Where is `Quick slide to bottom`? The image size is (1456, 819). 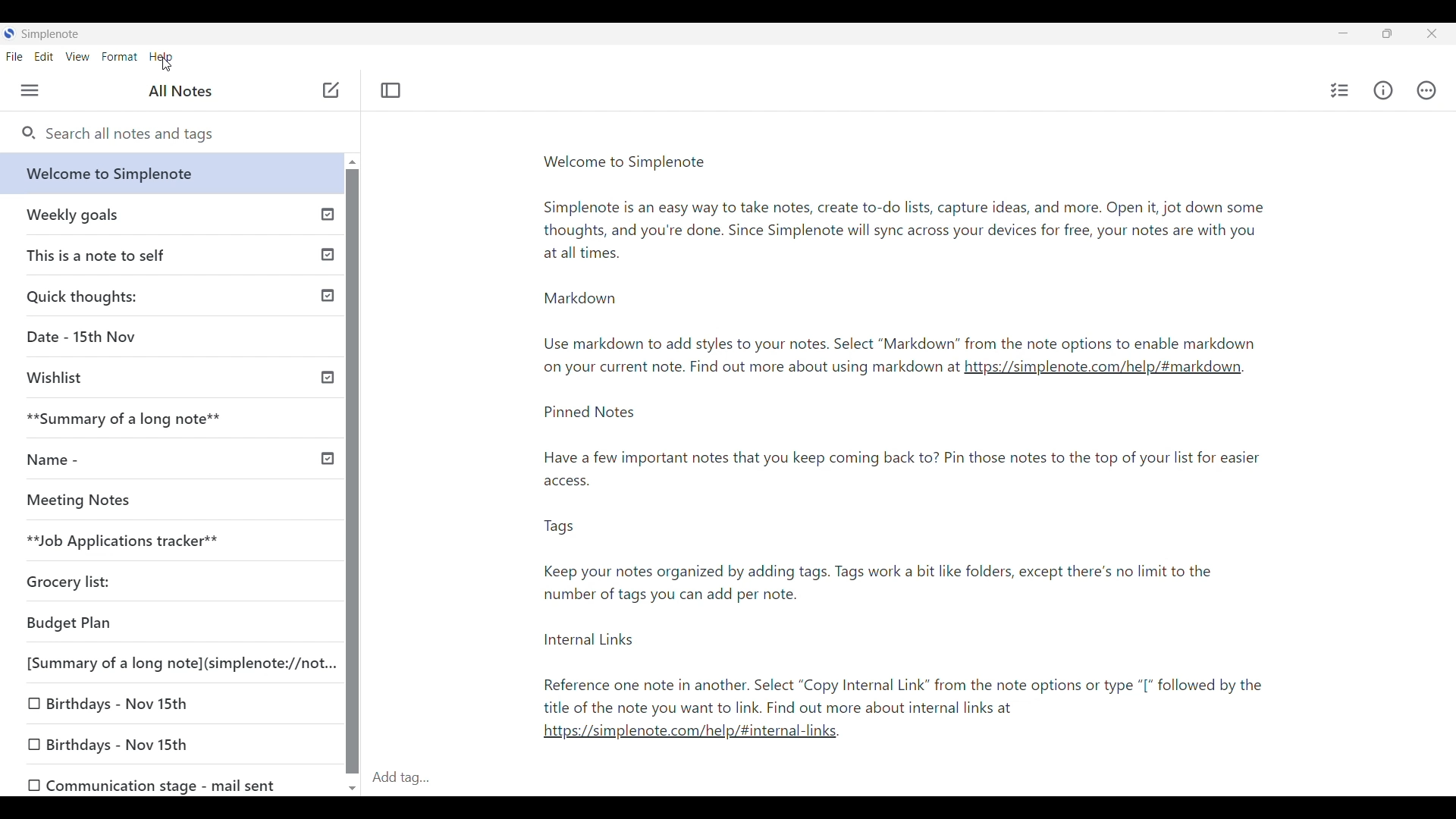
Quick slide to bottom is located at coordinates (353, 789).